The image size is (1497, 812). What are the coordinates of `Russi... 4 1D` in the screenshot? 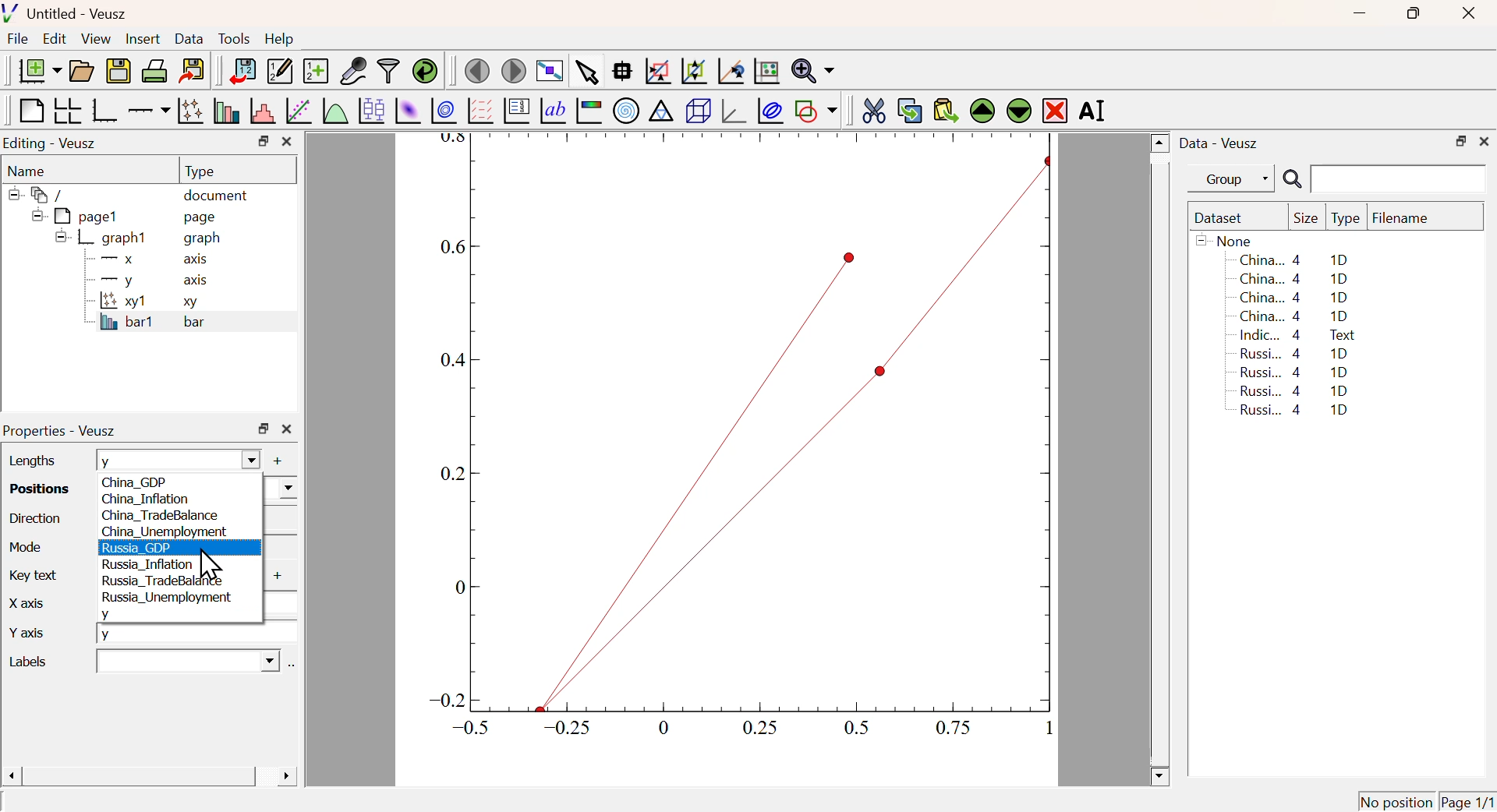 It's located at (1297, 353).